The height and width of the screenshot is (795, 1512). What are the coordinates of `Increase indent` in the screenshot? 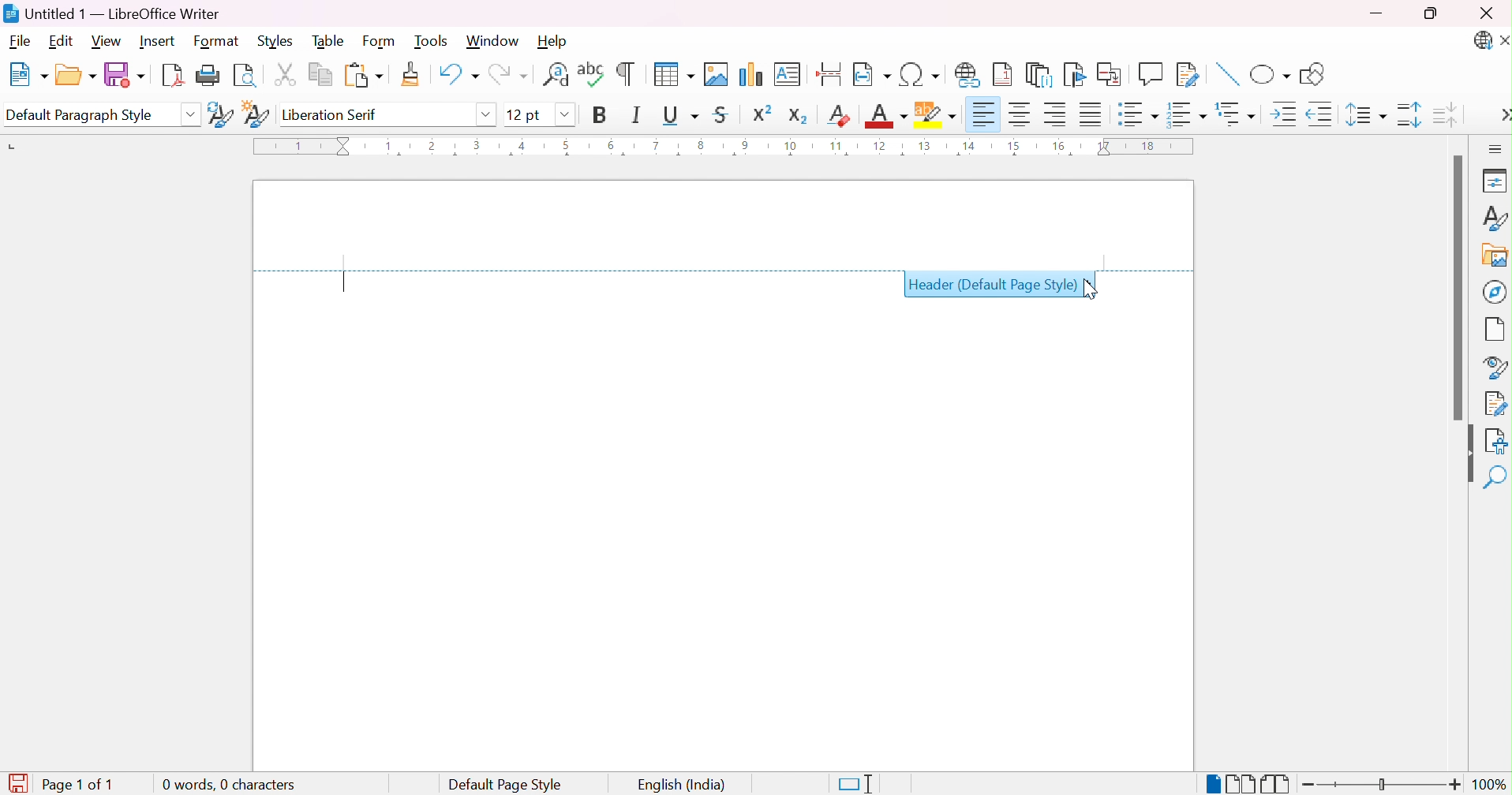 It's located at (1286, 114).